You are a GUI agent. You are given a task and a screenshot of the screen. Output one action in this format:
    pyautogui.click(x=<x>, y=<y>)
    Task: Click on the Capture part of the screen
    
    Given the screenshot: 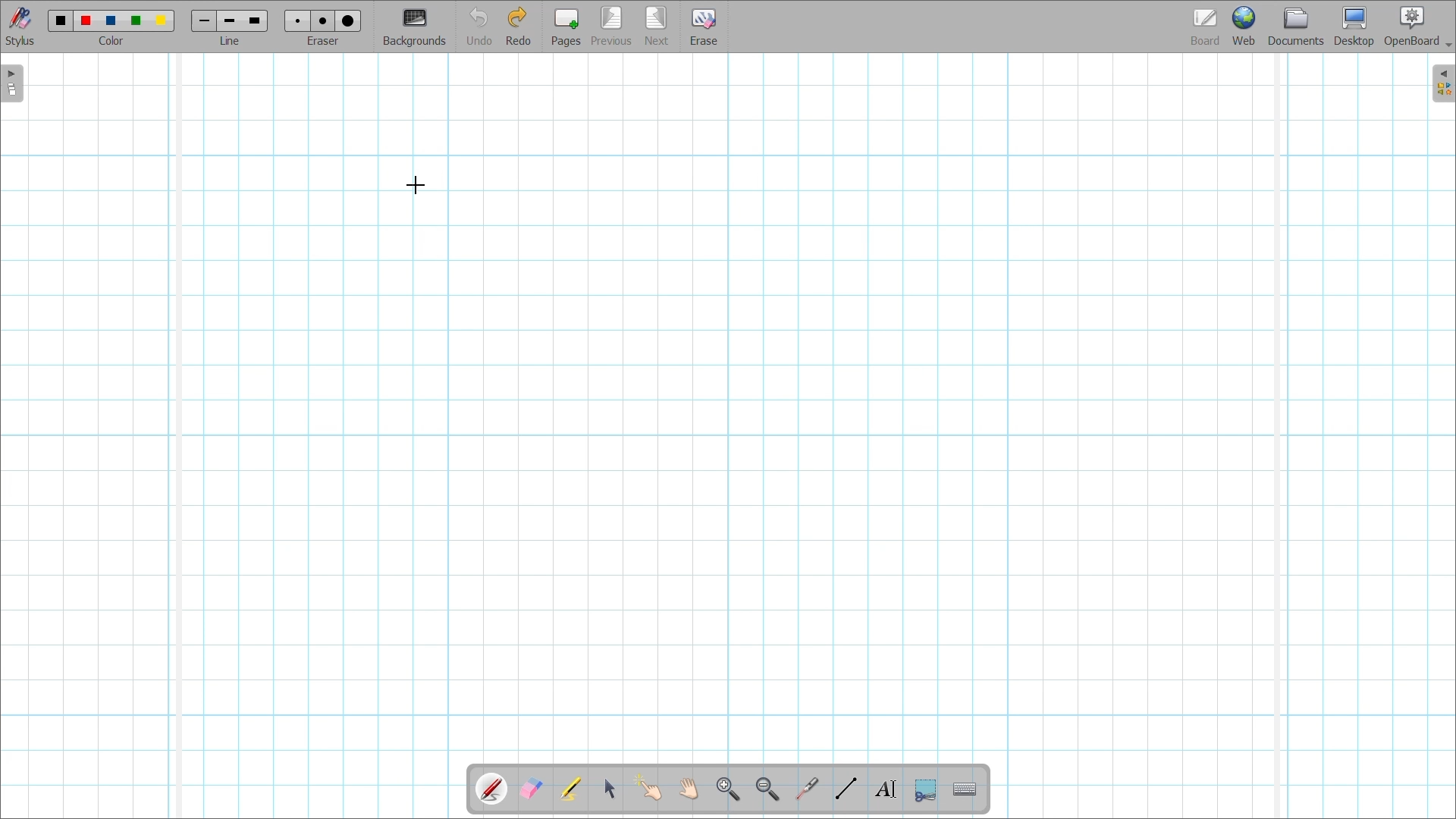 What is the action you would take?
    pyautogui.click(x=926, y=790)
    